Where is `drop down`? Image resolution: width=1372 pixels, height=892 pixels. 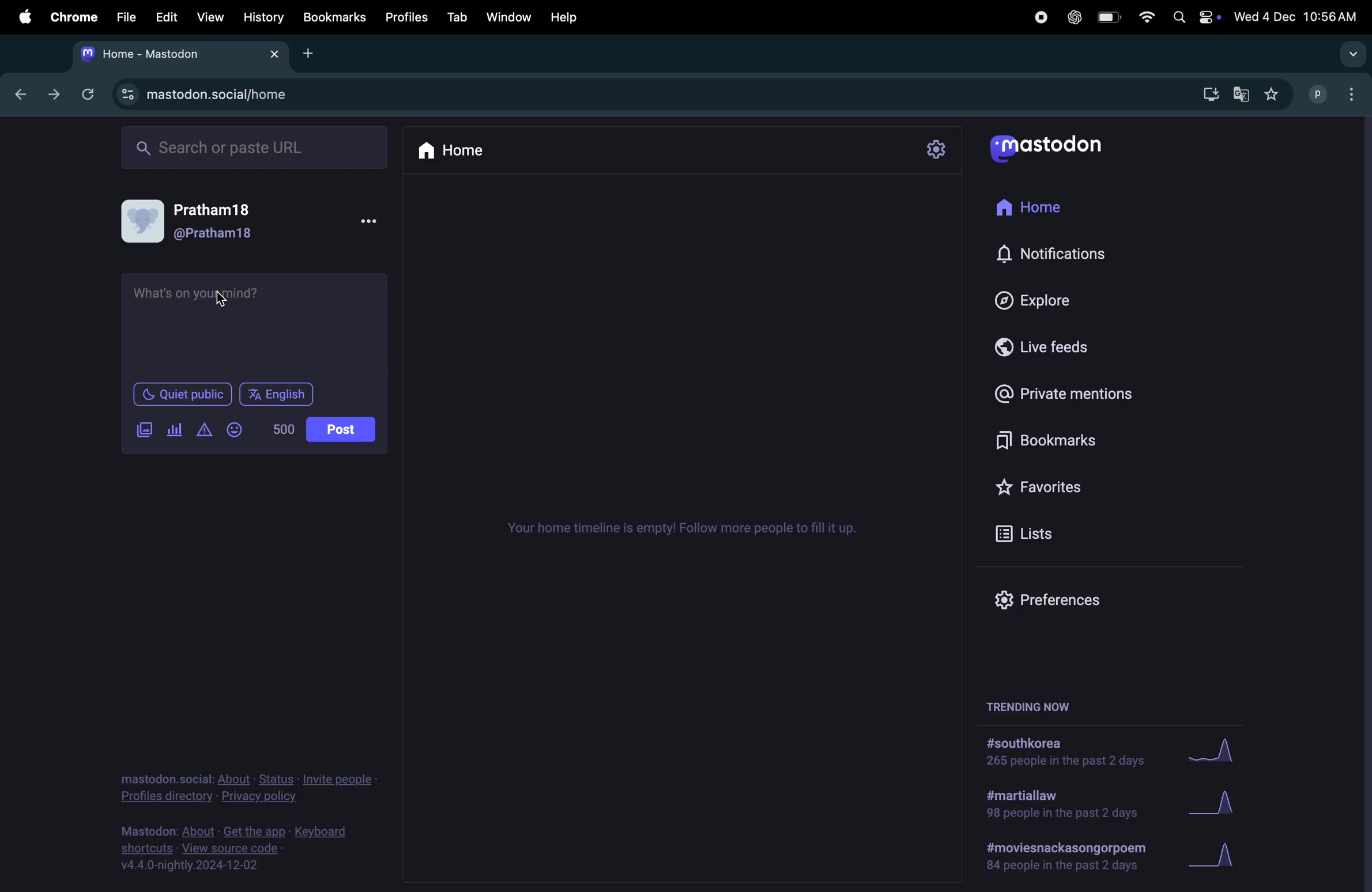
drop down is located at coordinates (1349, 54).